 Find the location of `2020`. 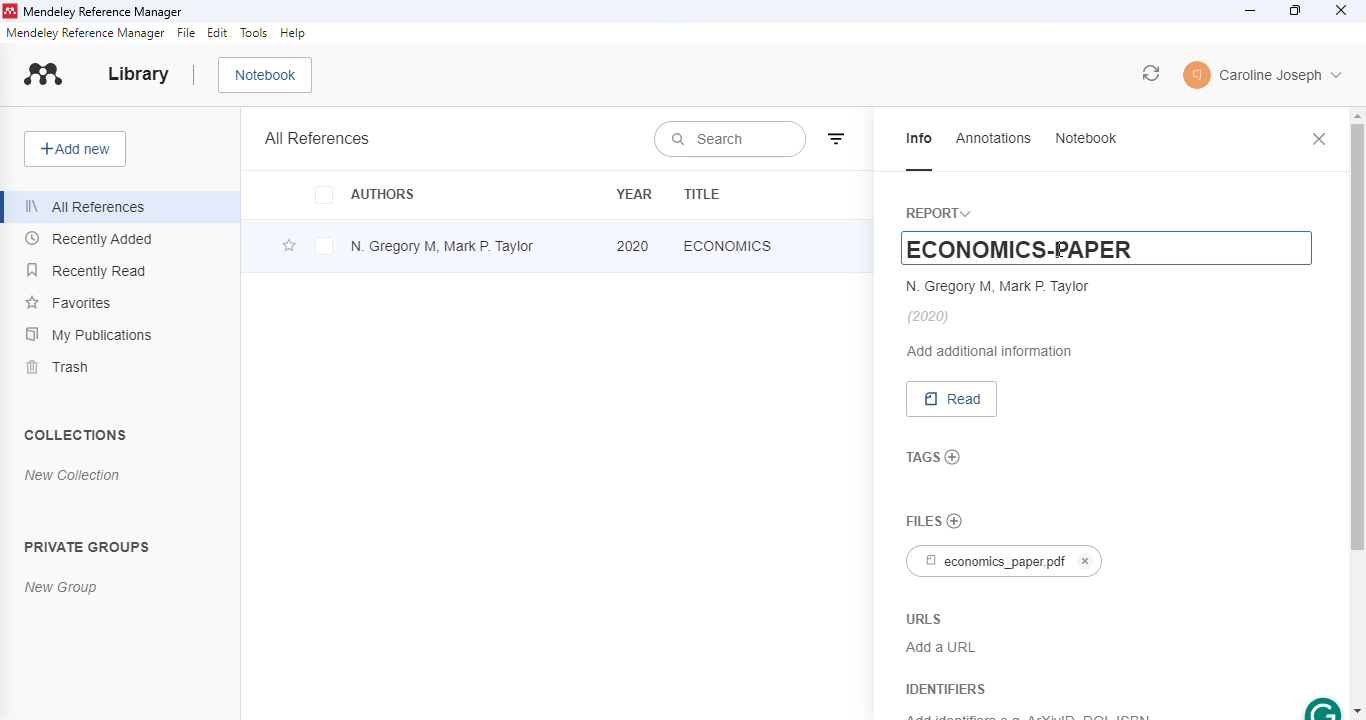

2020 is located at coordinates (633, 246).